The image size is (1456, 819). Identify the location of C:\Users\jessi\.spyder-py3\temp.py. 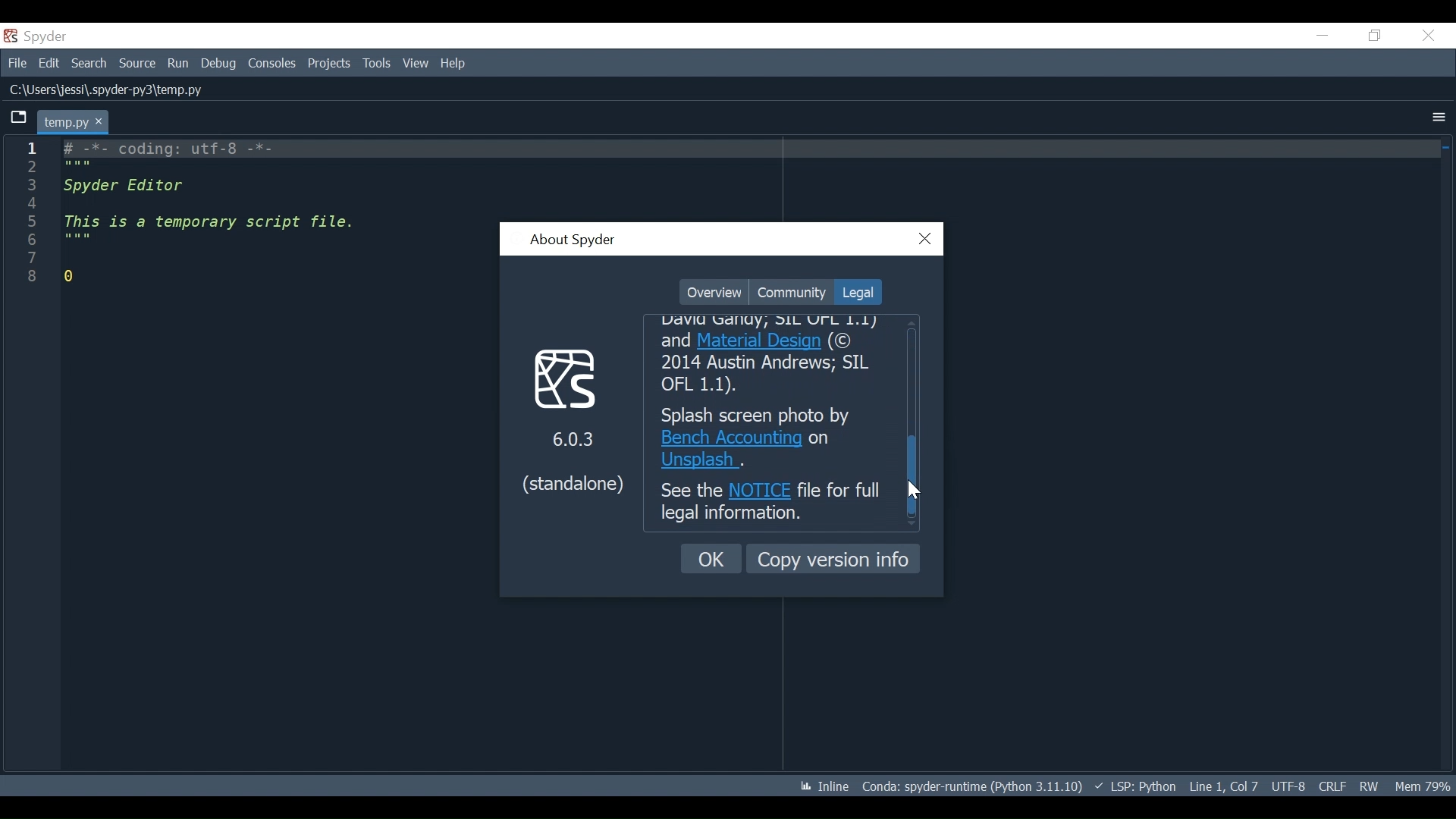
(136, 90).